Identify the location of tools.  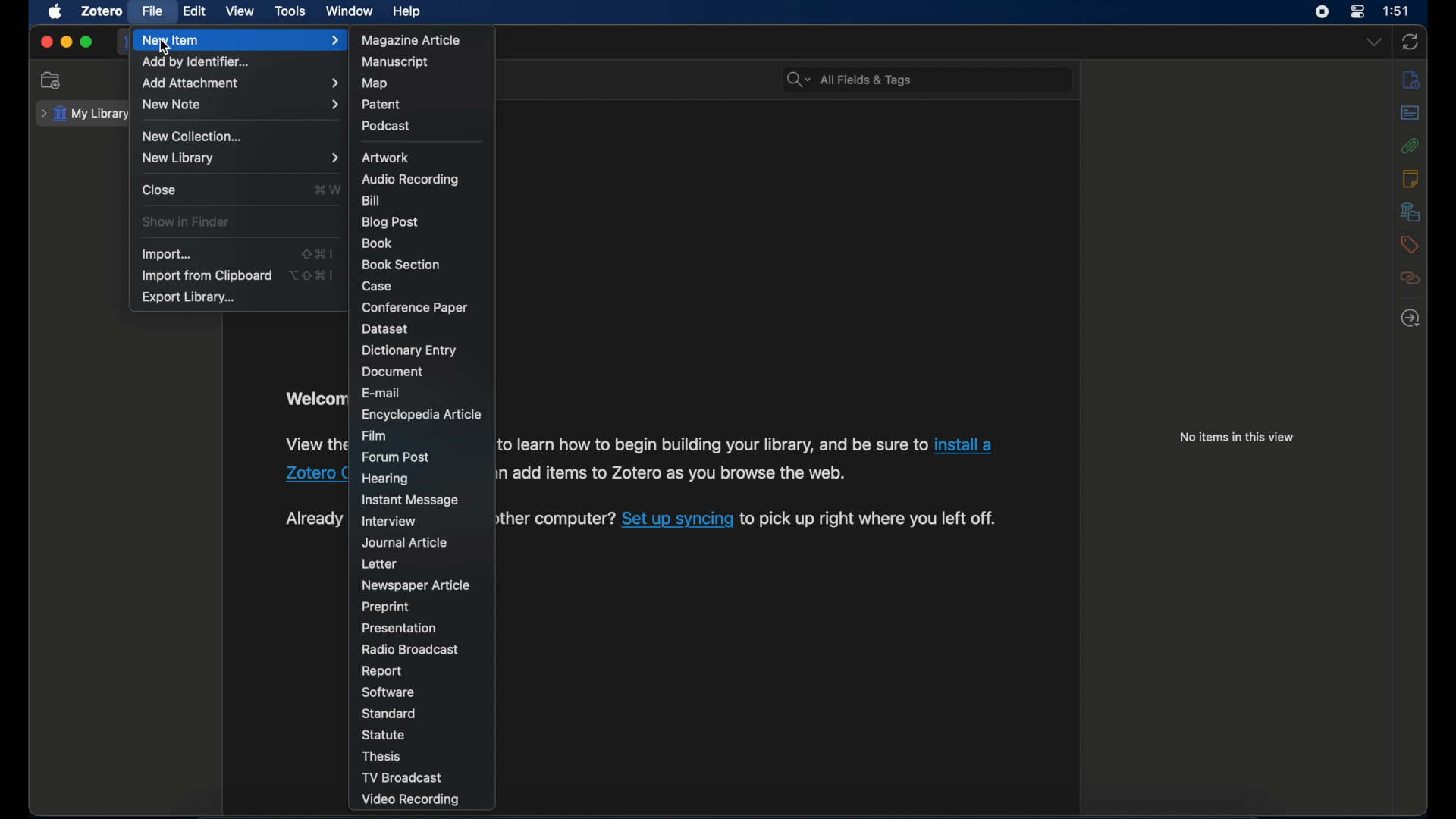
(290, 11).